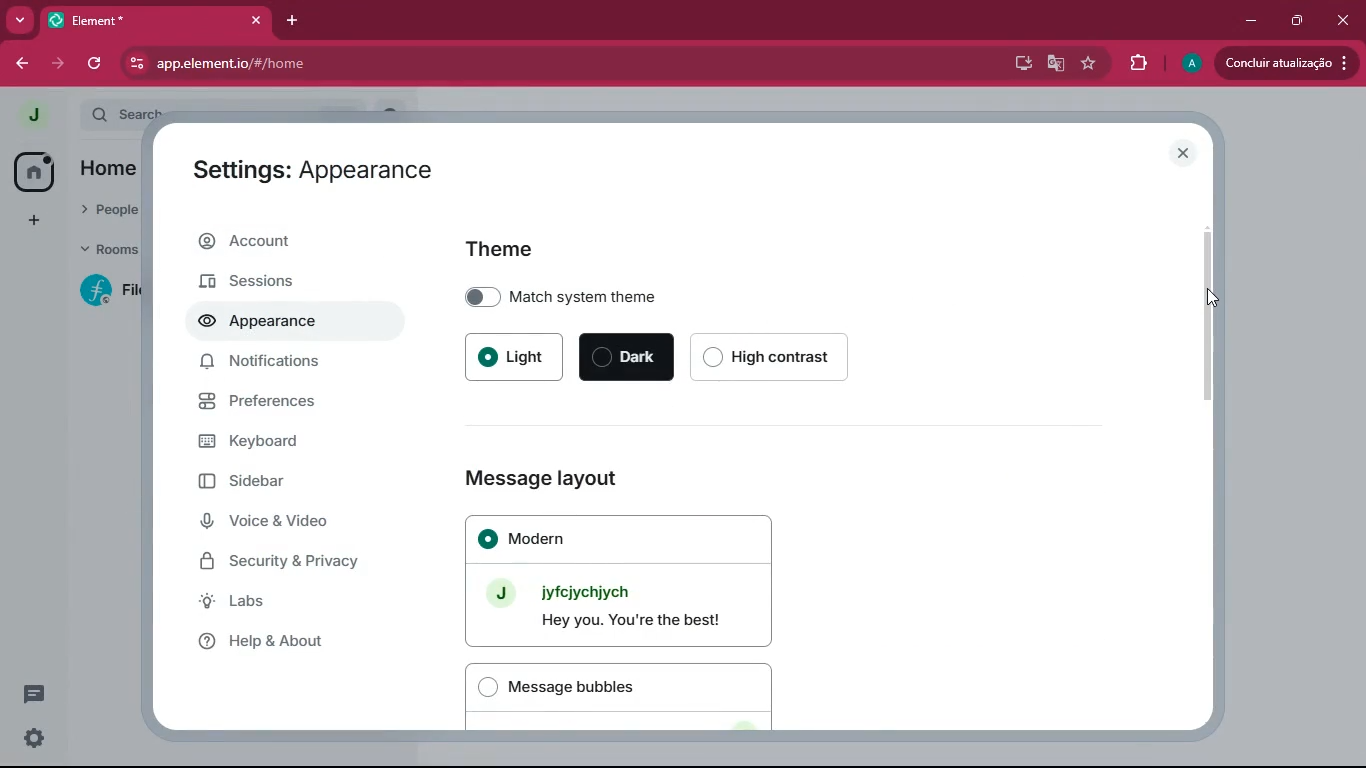 The image size is (1366, 768). What do you see at coordinates (1188, 63) in the screenshot?
I see `profile` at bounding box center [1188, 63].